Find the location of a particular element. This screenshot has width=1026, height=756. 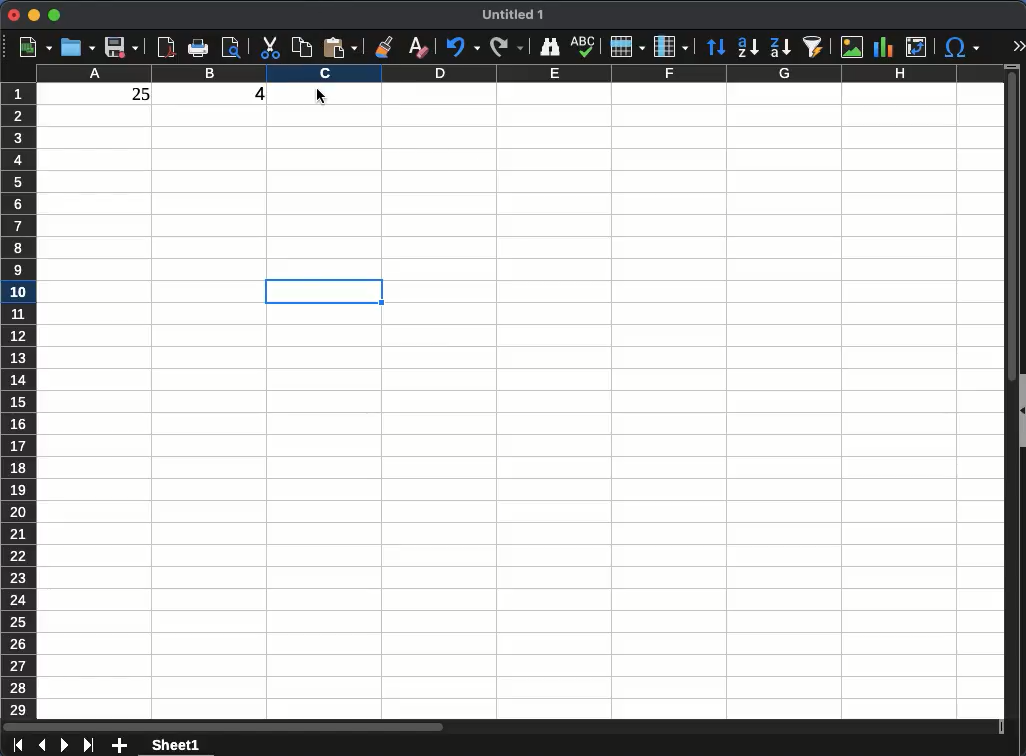

scroll is located at coordinates (501, 725).